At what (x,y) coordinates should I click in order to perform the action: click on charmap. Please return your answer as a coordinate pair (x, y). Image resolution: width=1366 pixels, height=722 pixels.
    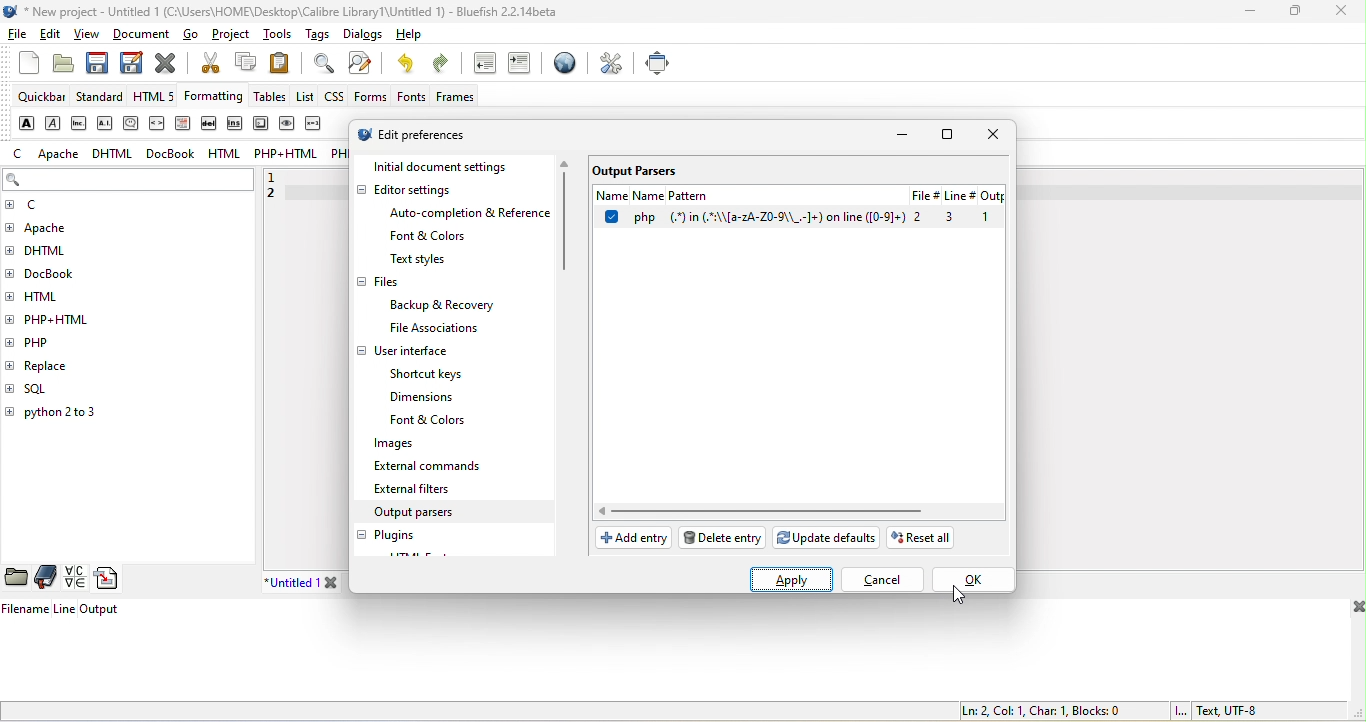
    Looking at the image, I should click on (74, 578).